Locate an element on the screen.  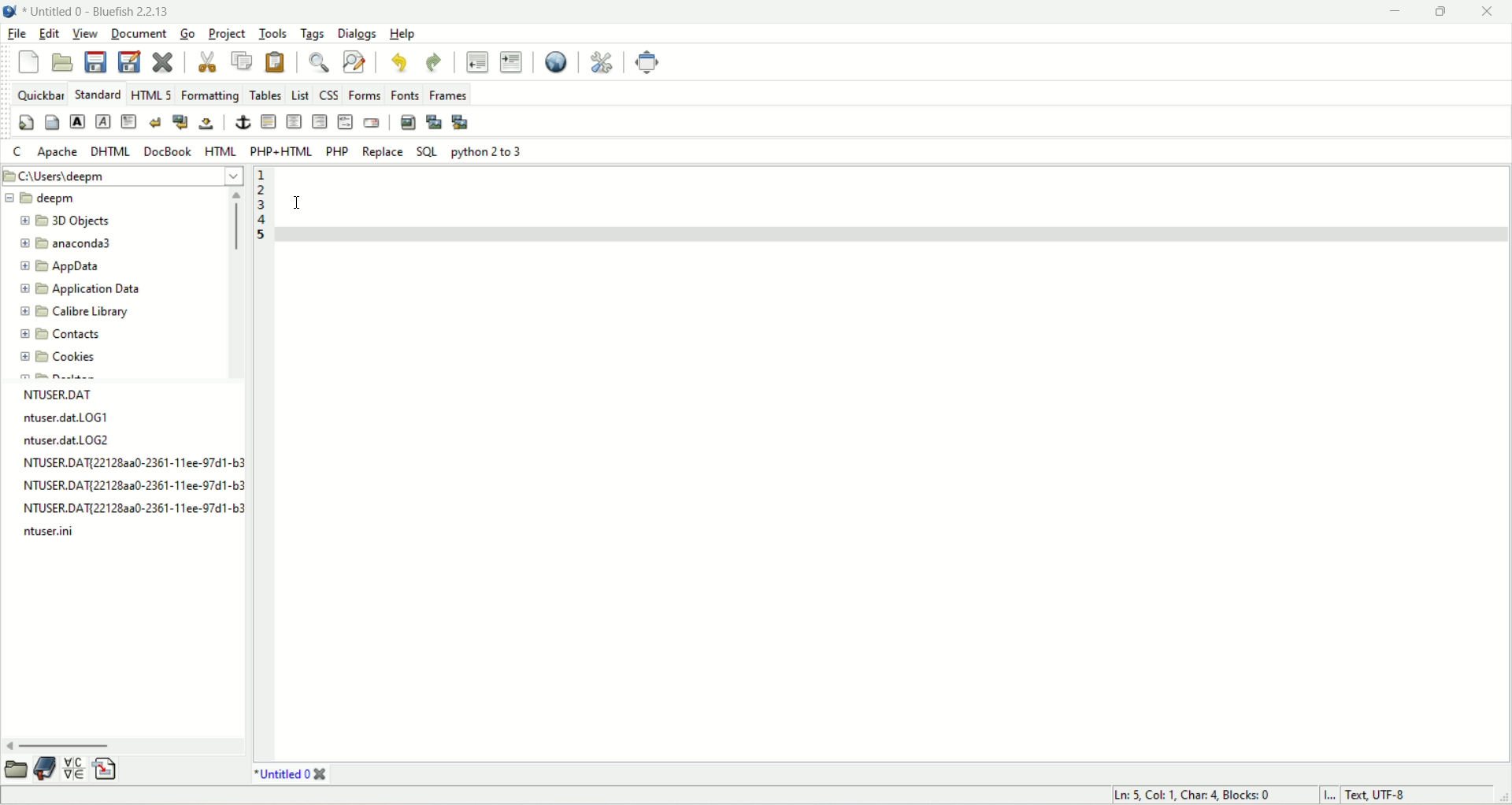
file name is located at coordinates (131, 465).